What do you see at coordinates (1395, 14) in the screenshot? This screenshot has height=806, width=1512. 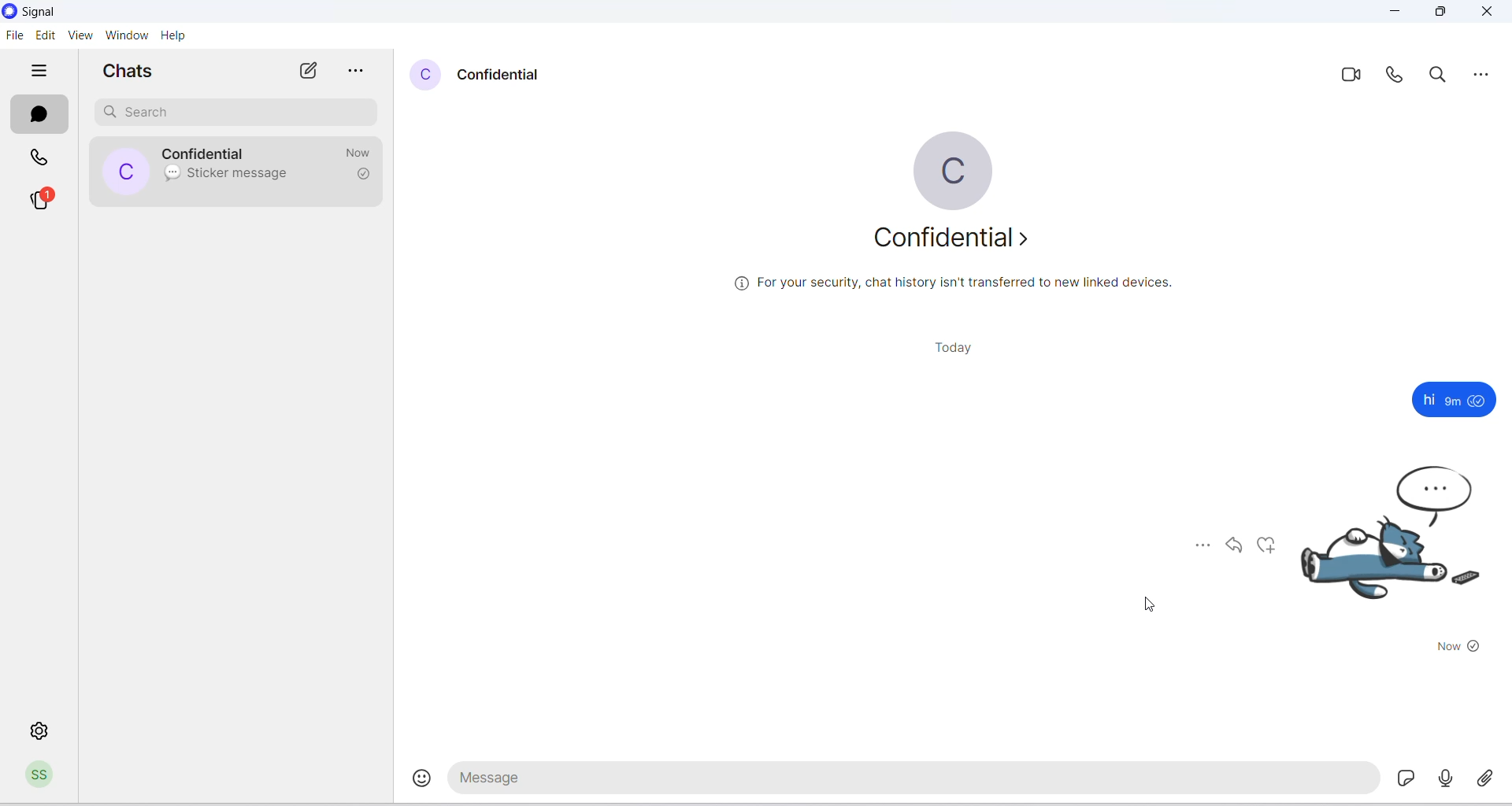 I see `minimize` at bounding box center [1395, 14].